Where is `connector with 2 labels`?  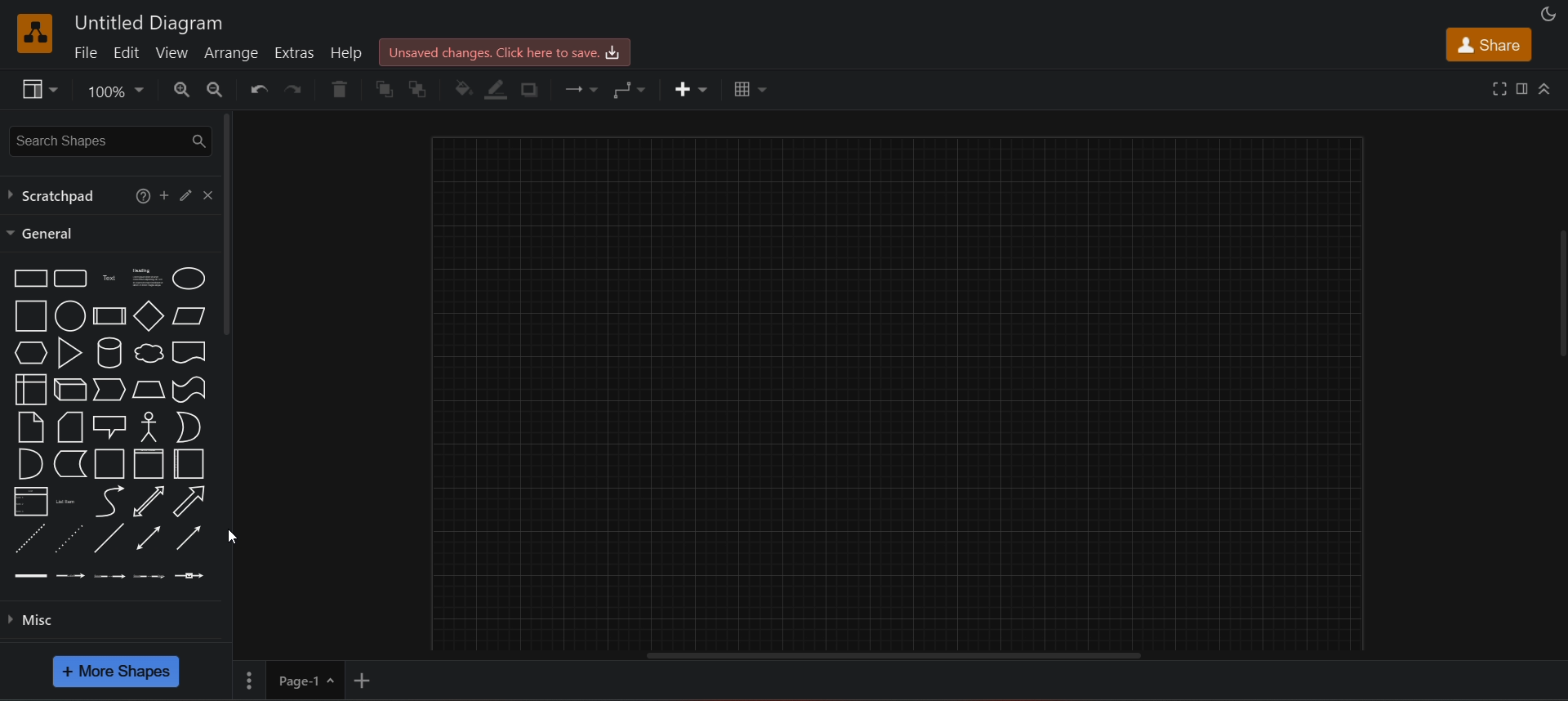
connector with 2 labels is located at coordinates (109, 575).